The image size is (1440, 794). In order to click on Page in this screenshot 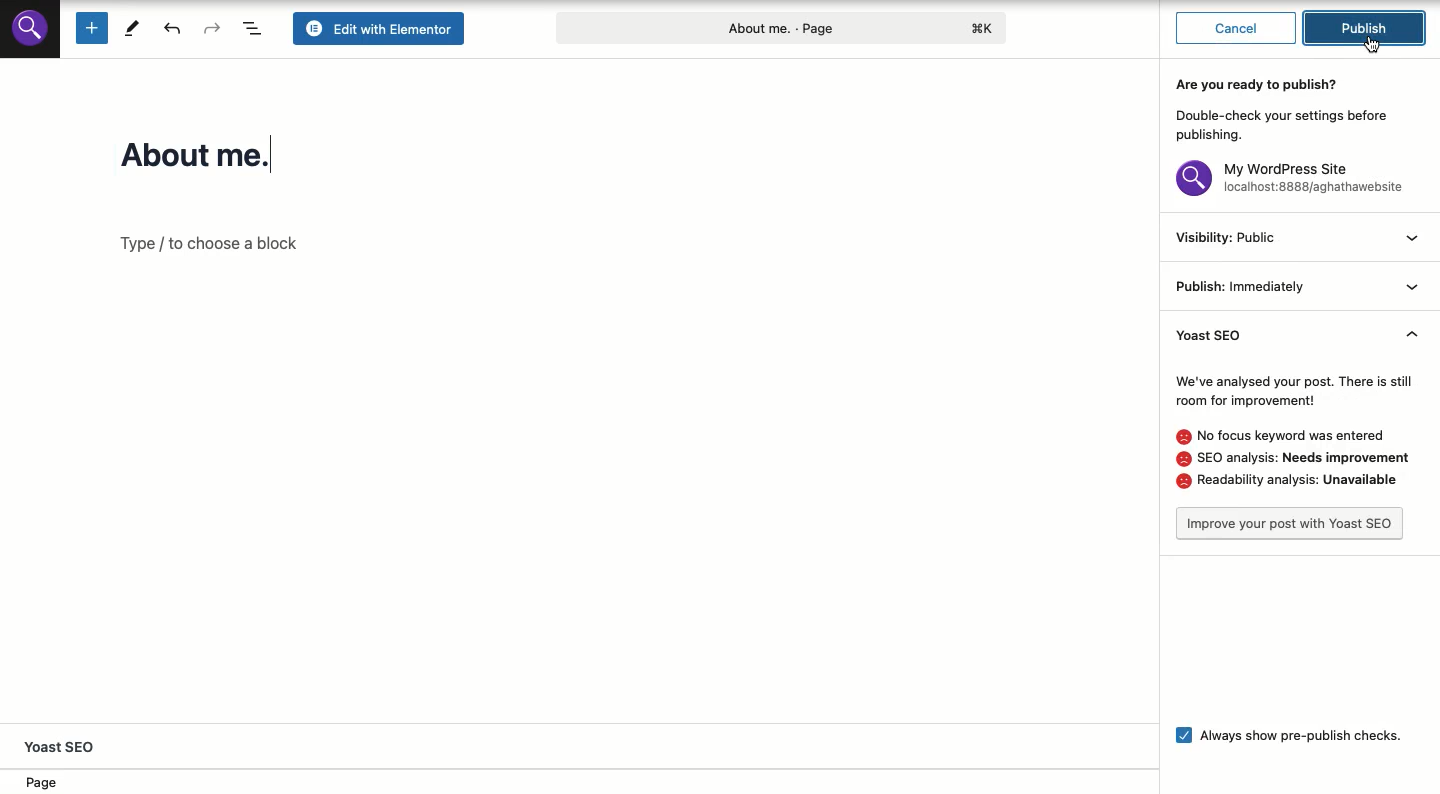, I will do `click(50, 783)`.